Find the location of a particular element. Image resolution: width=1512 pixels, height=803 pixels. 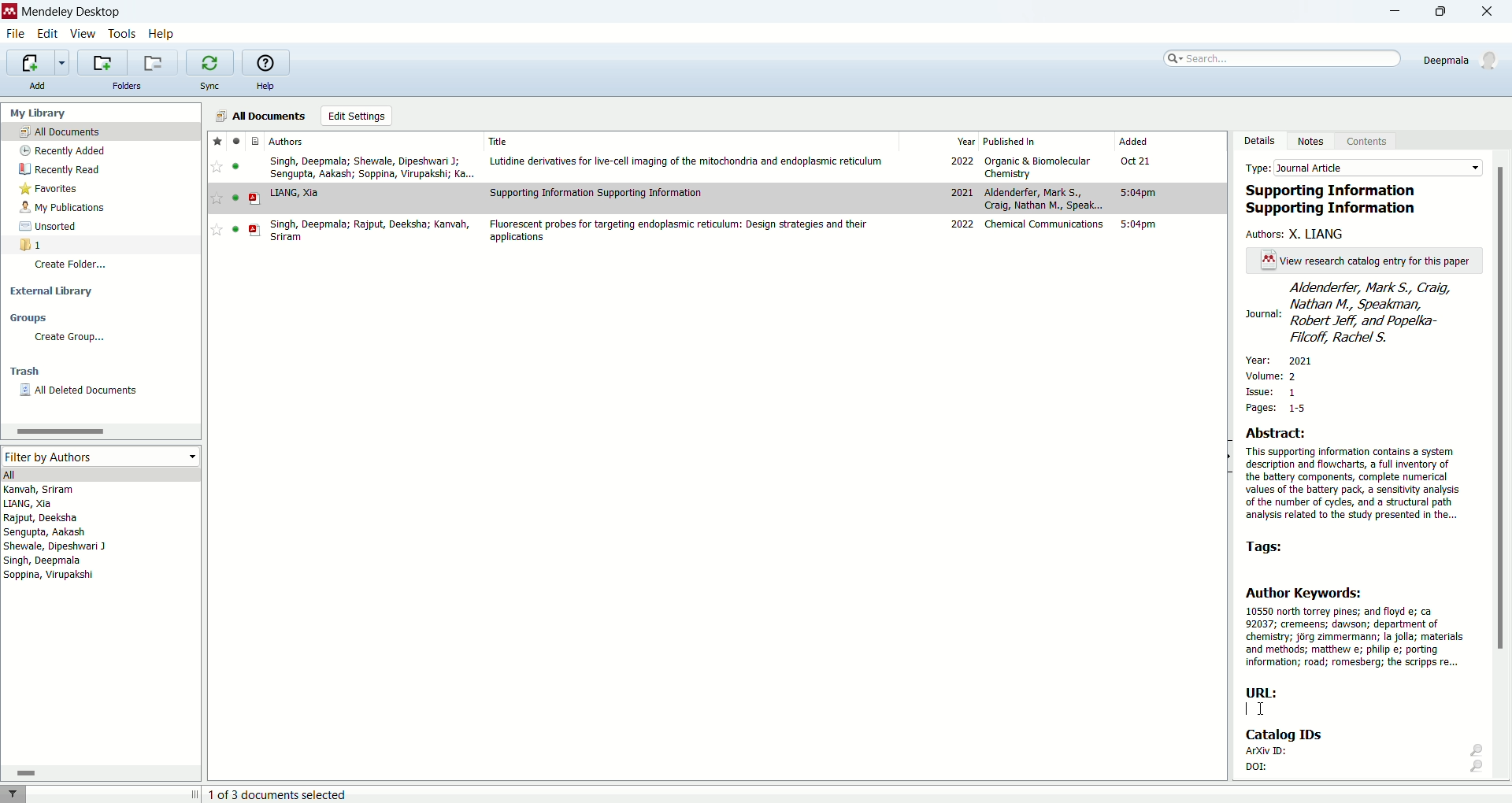

pages: 1-5 is located at coordinates (1272, 408).